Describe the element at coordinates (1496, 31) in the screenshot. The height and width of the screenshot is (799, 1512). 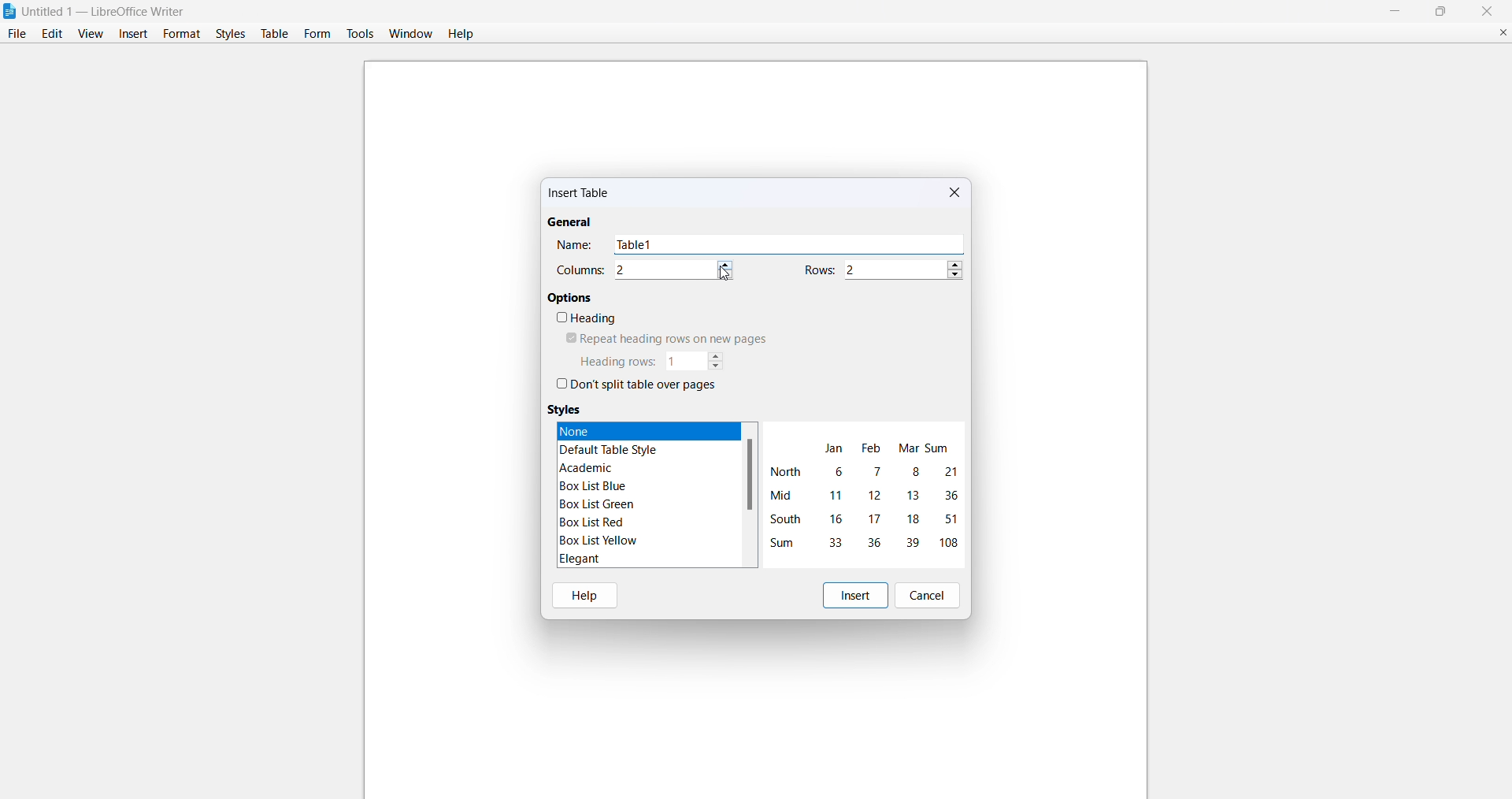
I see `close document` at that location.